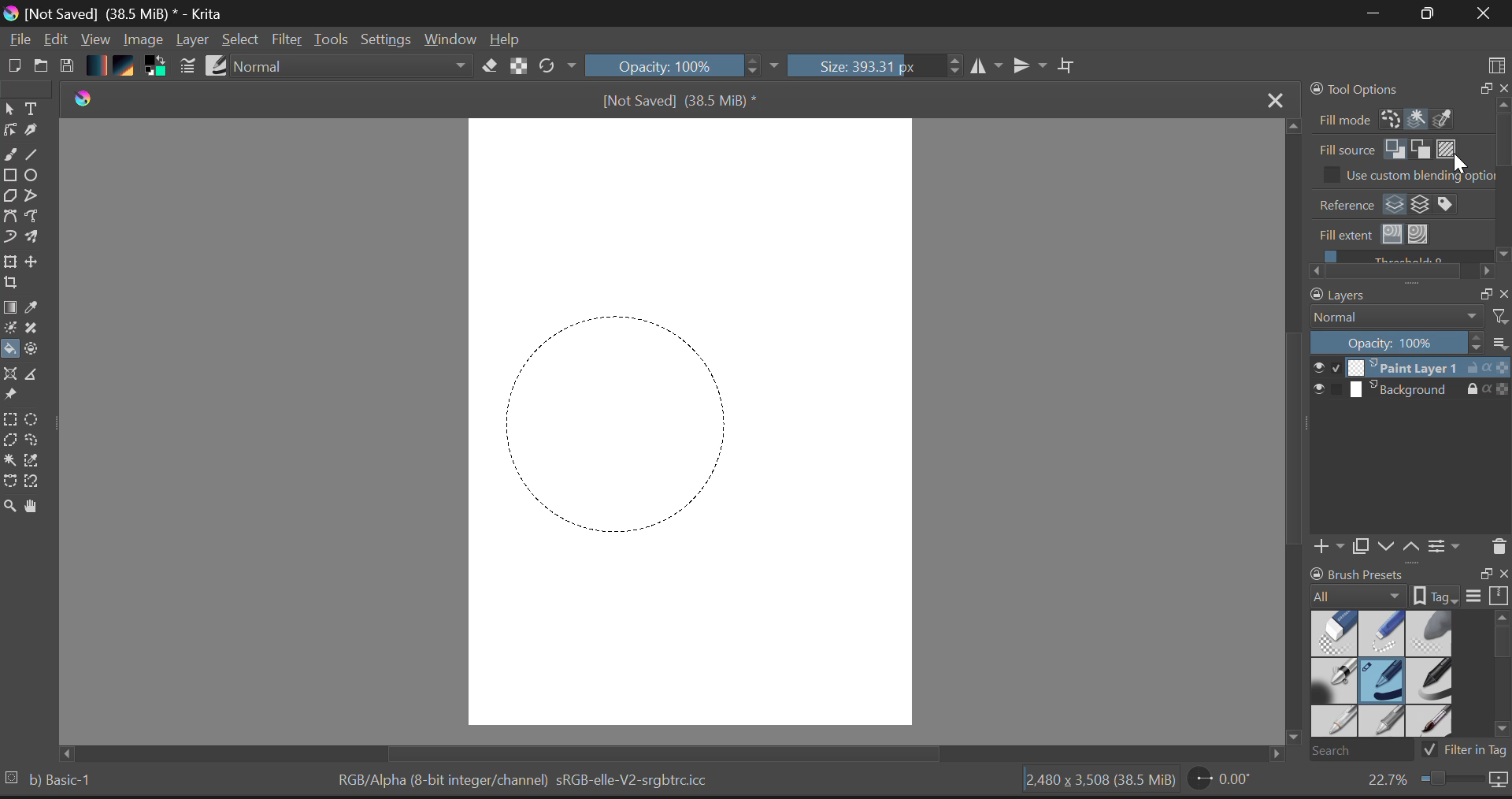 The image size is (1512, 799). I want to click on Circular Selection Selected, so click(34, 416).